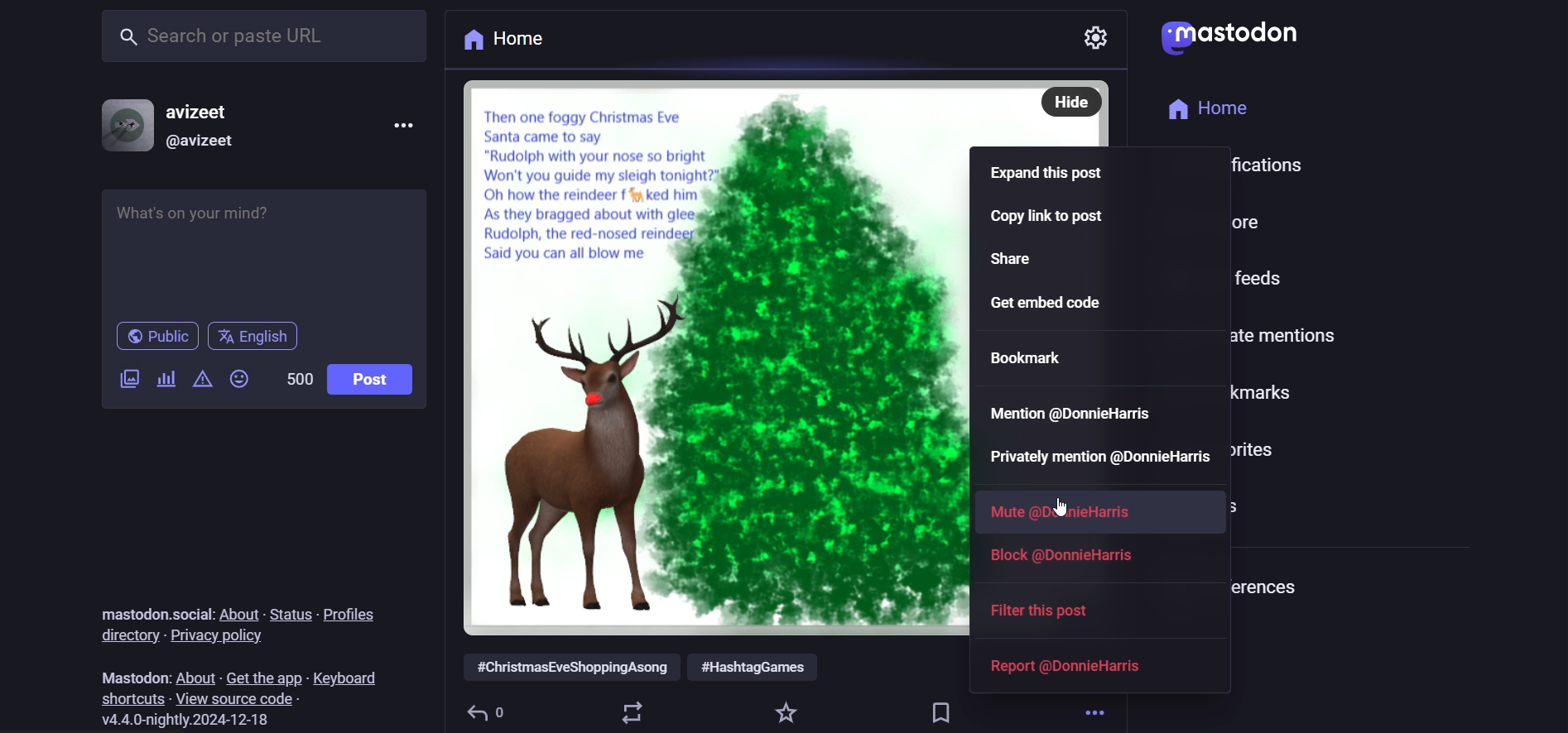 Image resolution: width=1568 pixels, height=733 pixels. Describe the element at coordinates (942, 712) in the screenshot. I see `bookmark` at that location.